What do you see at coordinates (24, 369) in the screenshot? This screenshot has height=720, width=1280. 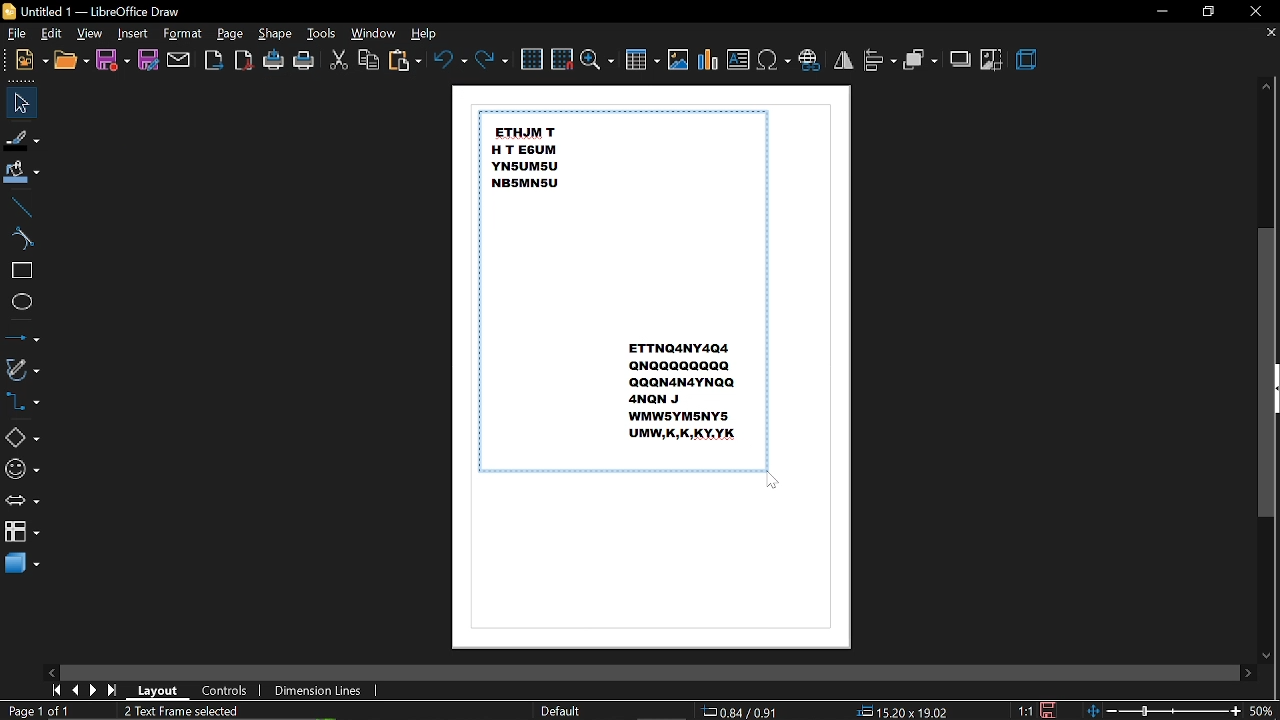 I see `curves and polygons` at bounding box center [24, 369].